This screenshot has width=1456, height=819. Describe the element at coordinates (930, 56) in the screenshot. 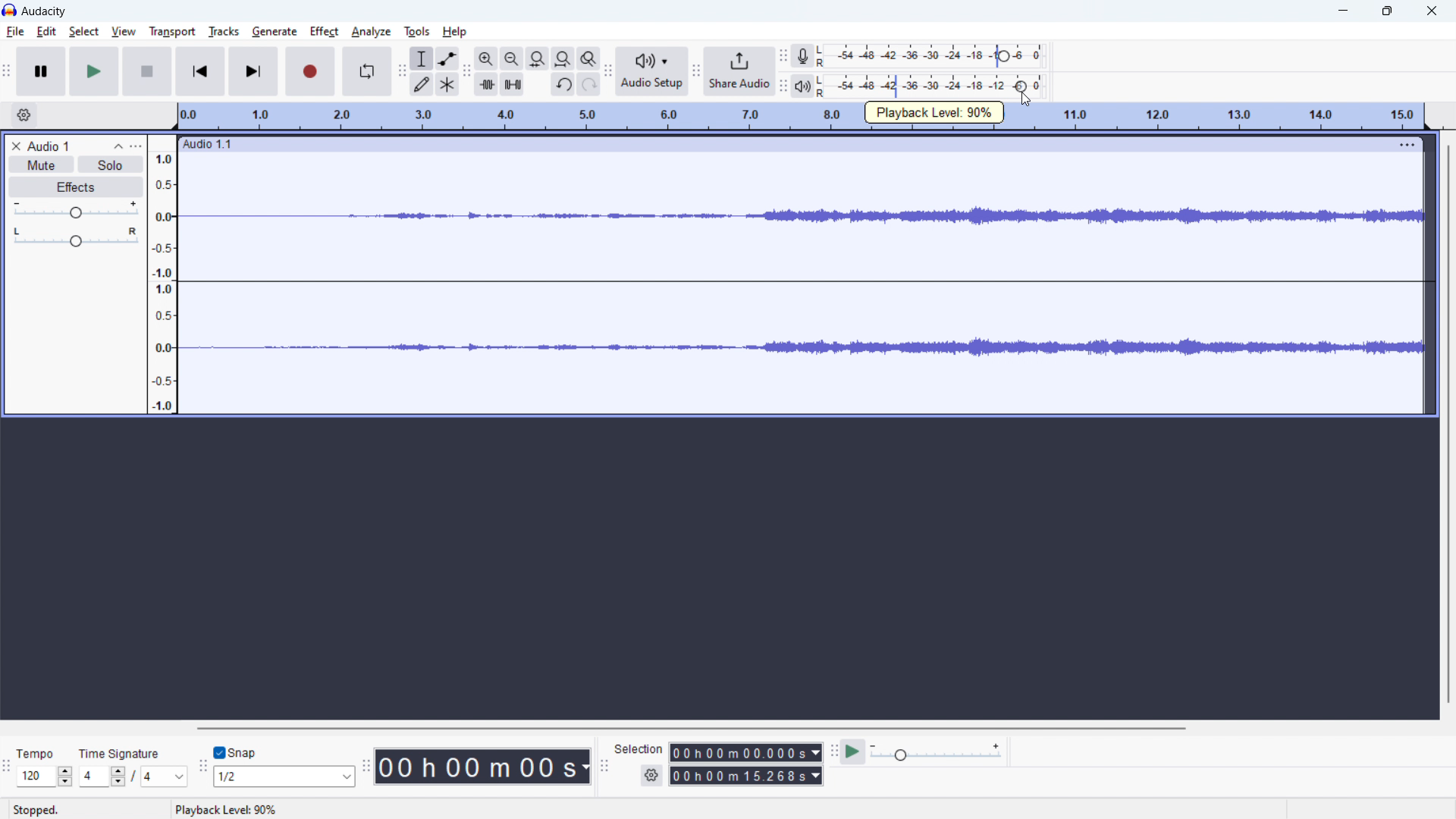

I see `record level` at that location.